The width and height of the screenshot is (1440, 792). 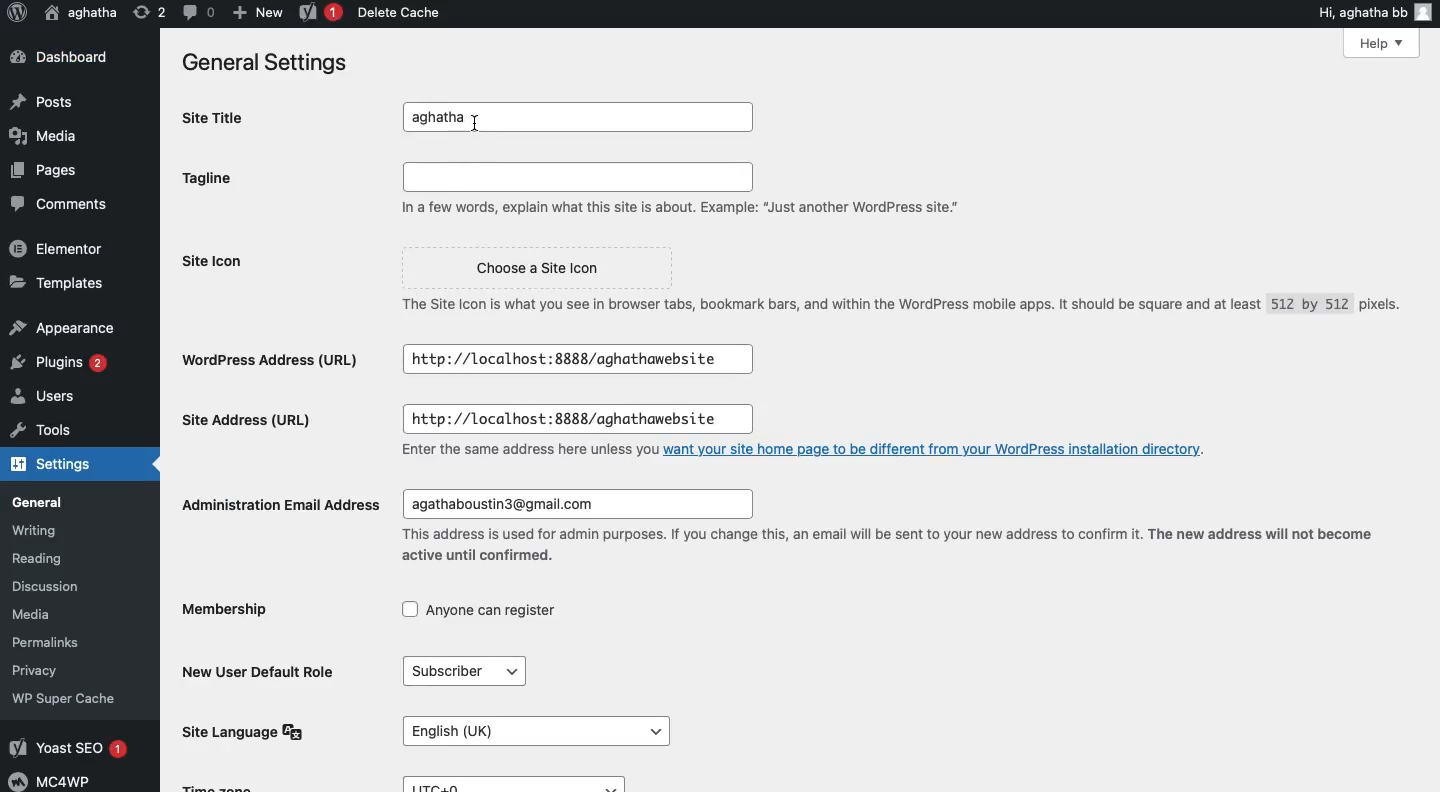 I want to click on English (UK), so click(x=534, y=729).